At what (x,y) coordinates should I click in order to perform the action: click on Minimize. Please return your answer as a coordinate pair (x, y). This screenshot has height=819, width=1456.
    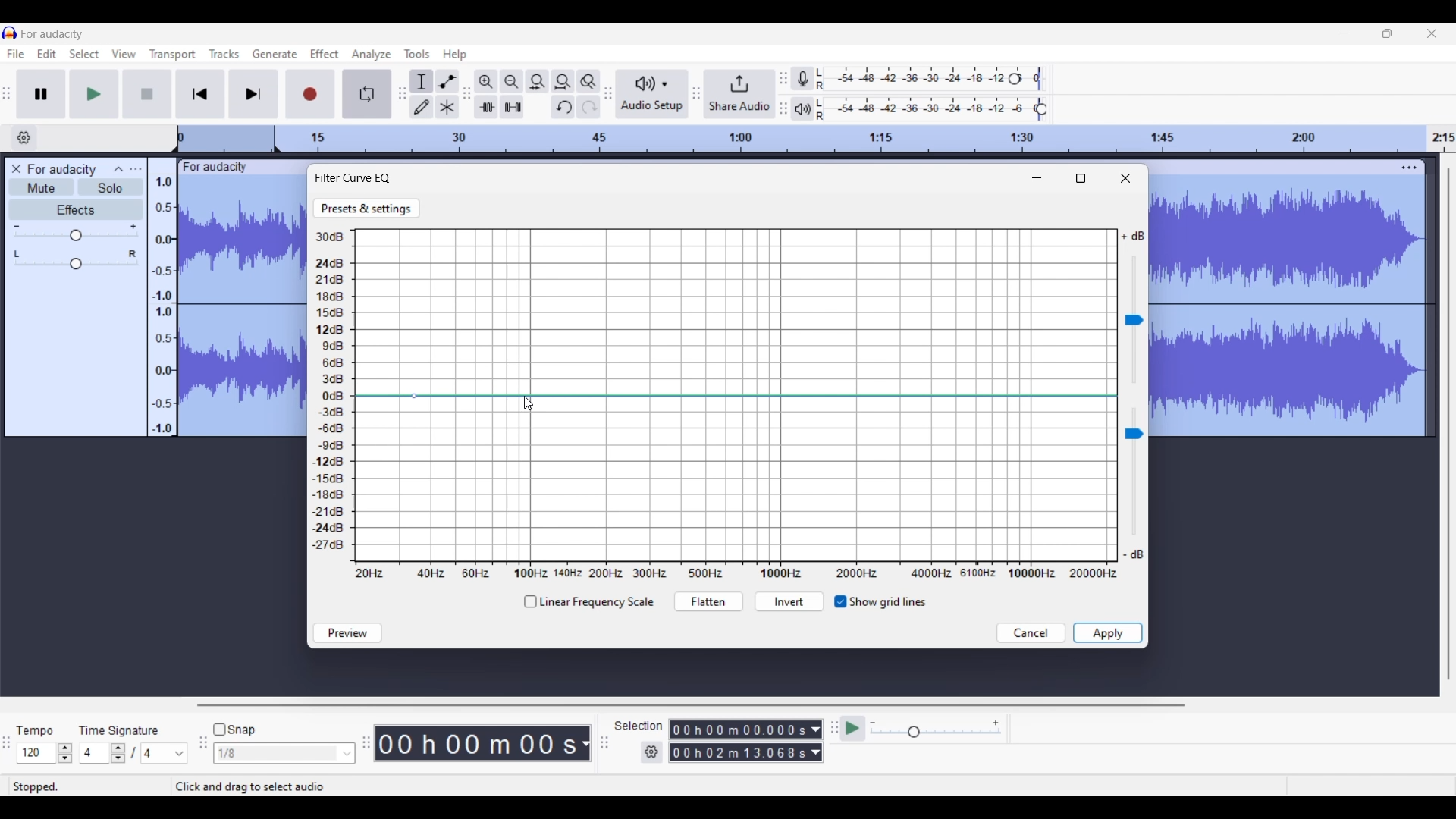
    Looking at the image, I should click on (1342, 33).